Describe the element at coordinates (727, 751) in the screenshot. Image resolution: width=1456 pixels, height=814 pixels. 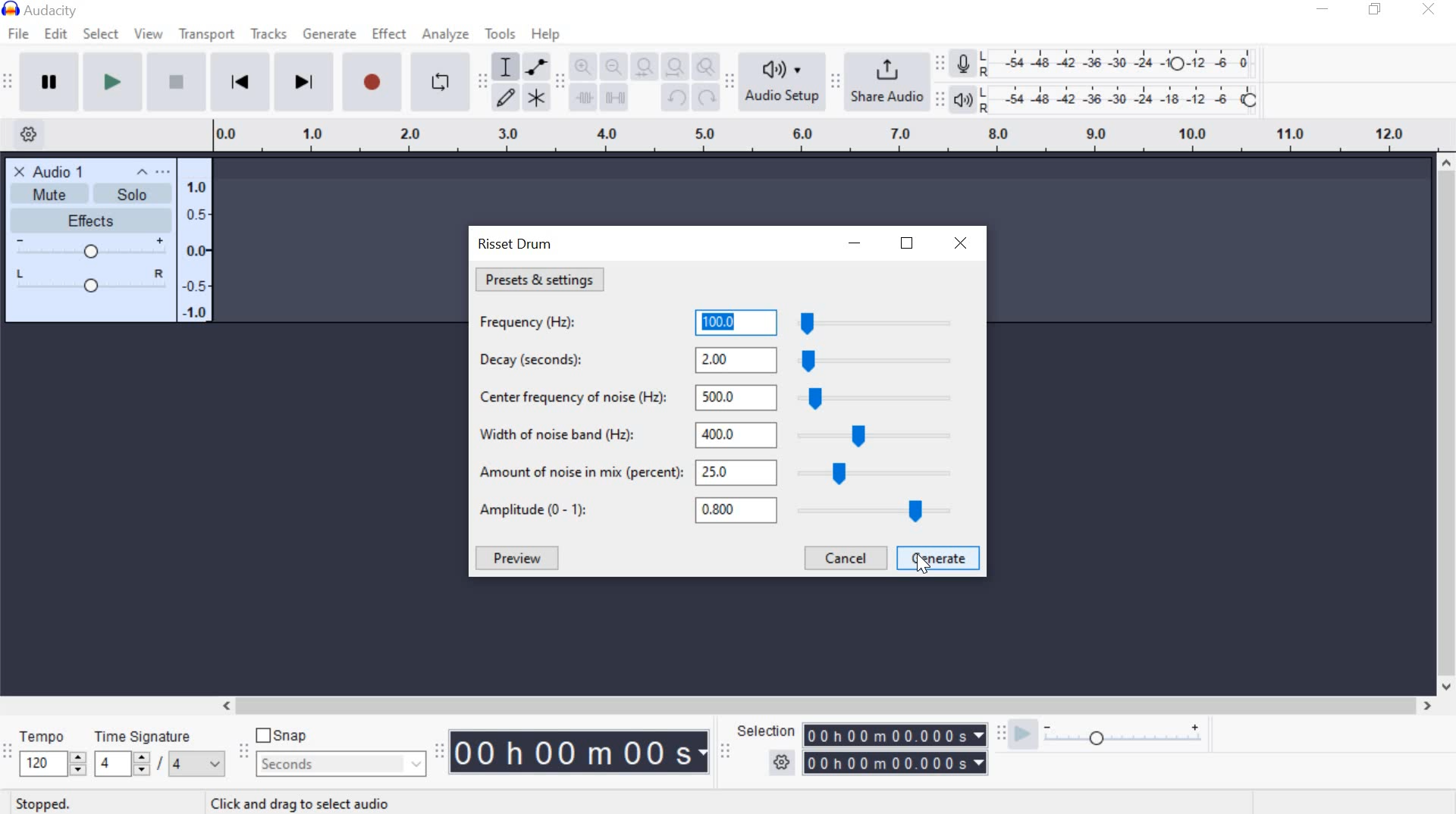
I see `Selection toolbar` at that location.